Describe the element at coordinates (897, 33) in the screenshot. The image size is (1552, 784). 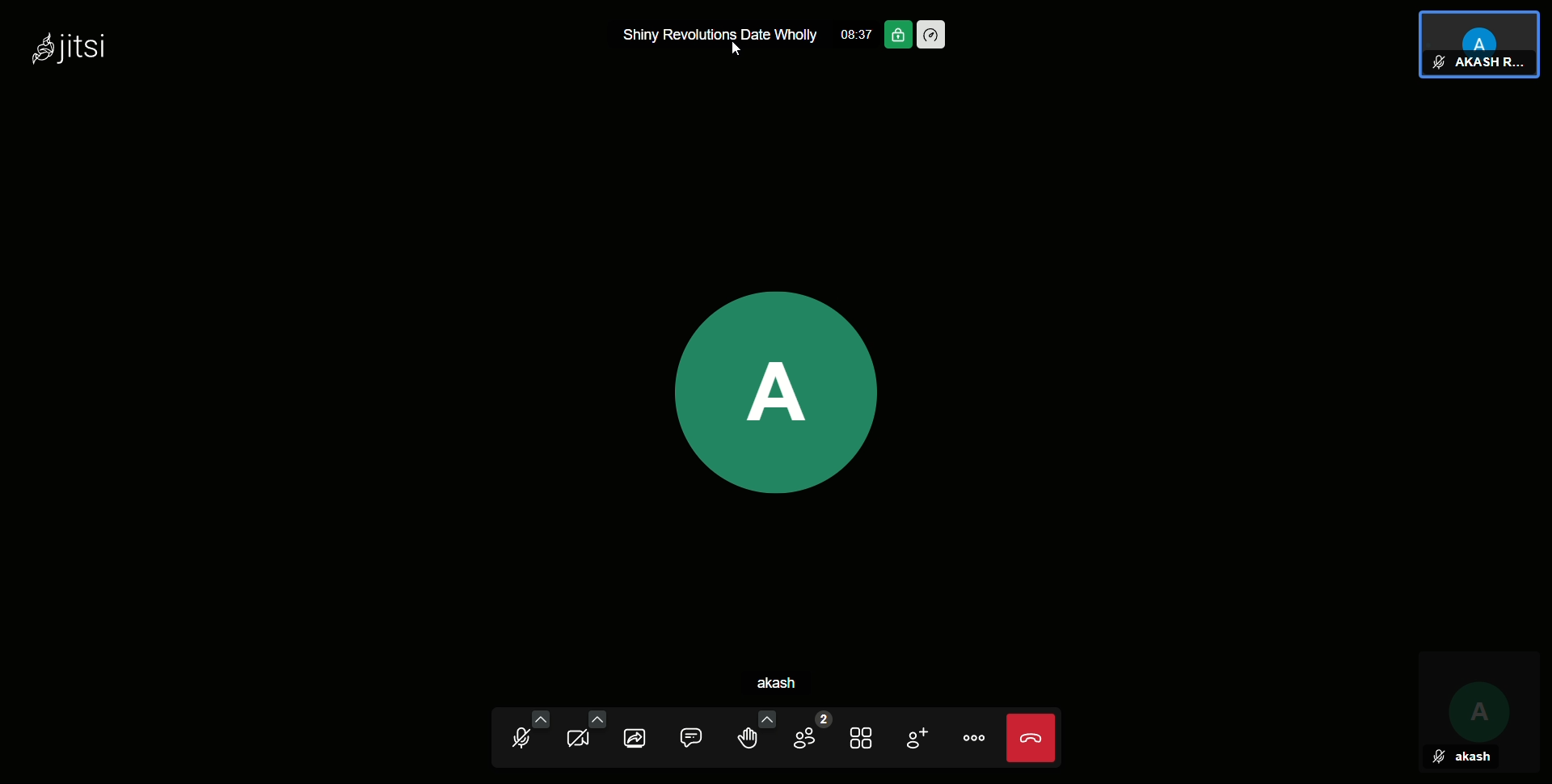
I see `encryption enabled` at that location.